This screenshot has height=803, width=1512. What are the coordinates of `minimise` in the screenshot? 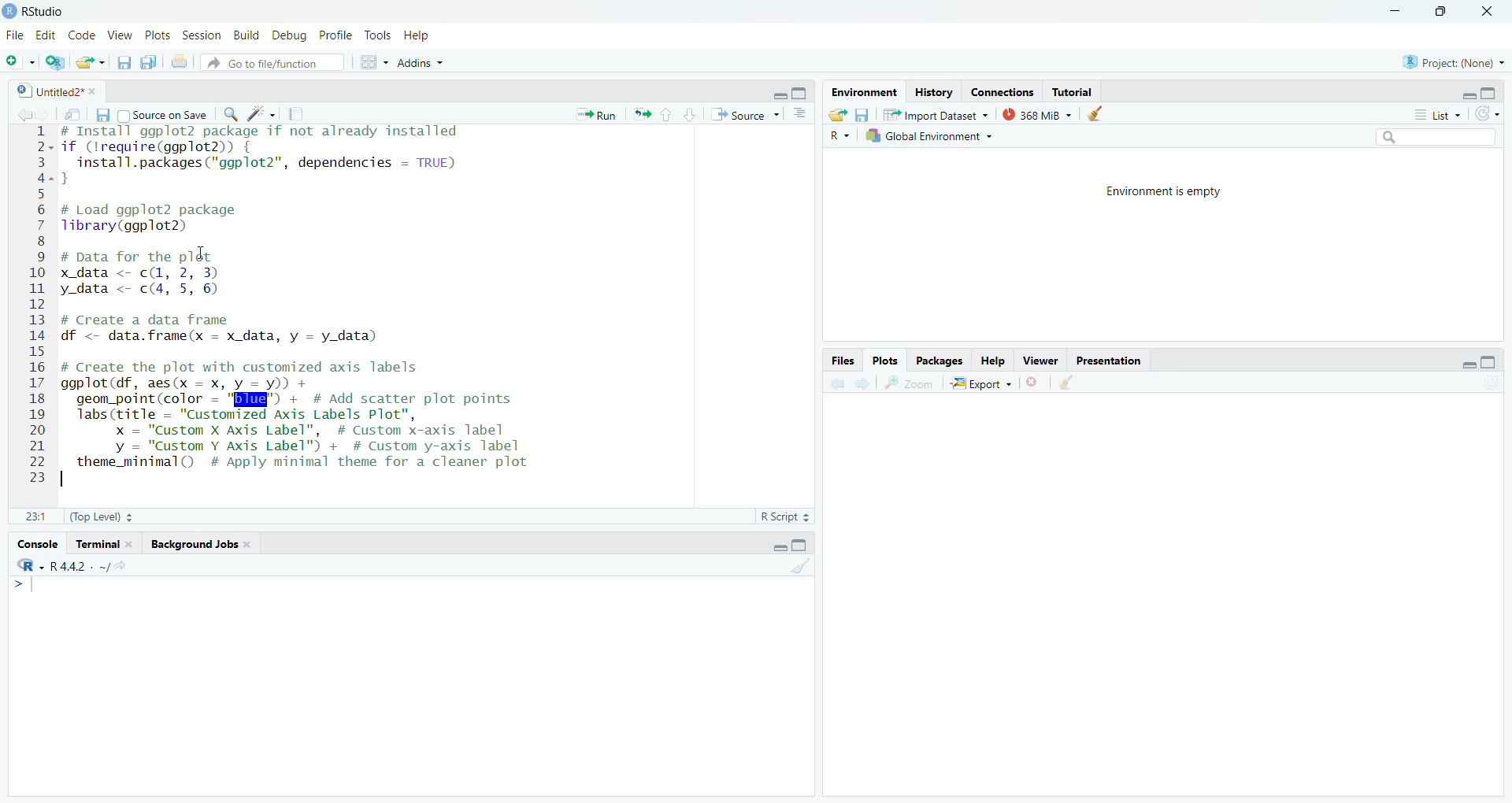 It's located at (1462, 95).